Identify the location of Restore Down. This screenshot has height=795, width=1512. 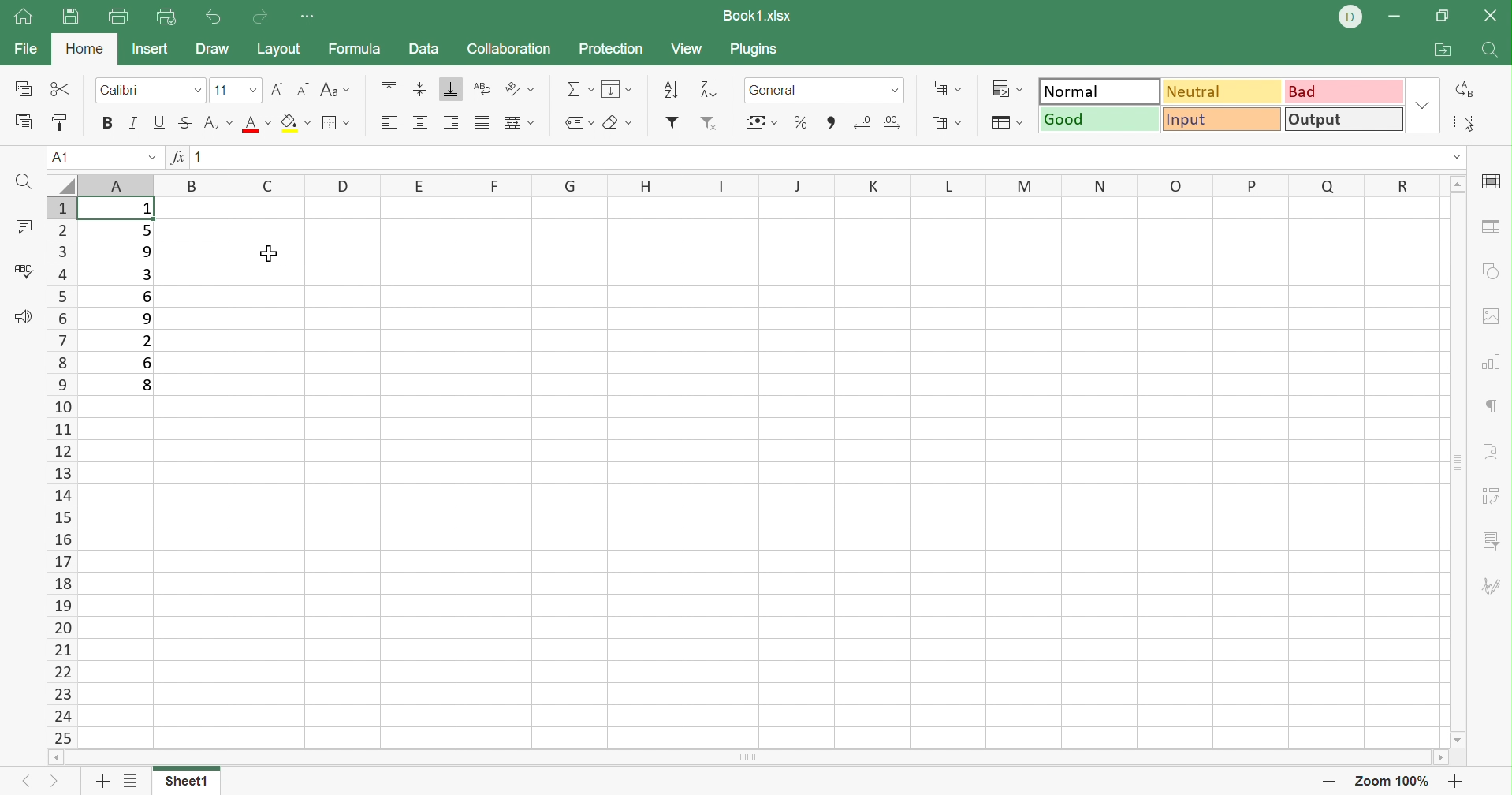
(1446, 13).